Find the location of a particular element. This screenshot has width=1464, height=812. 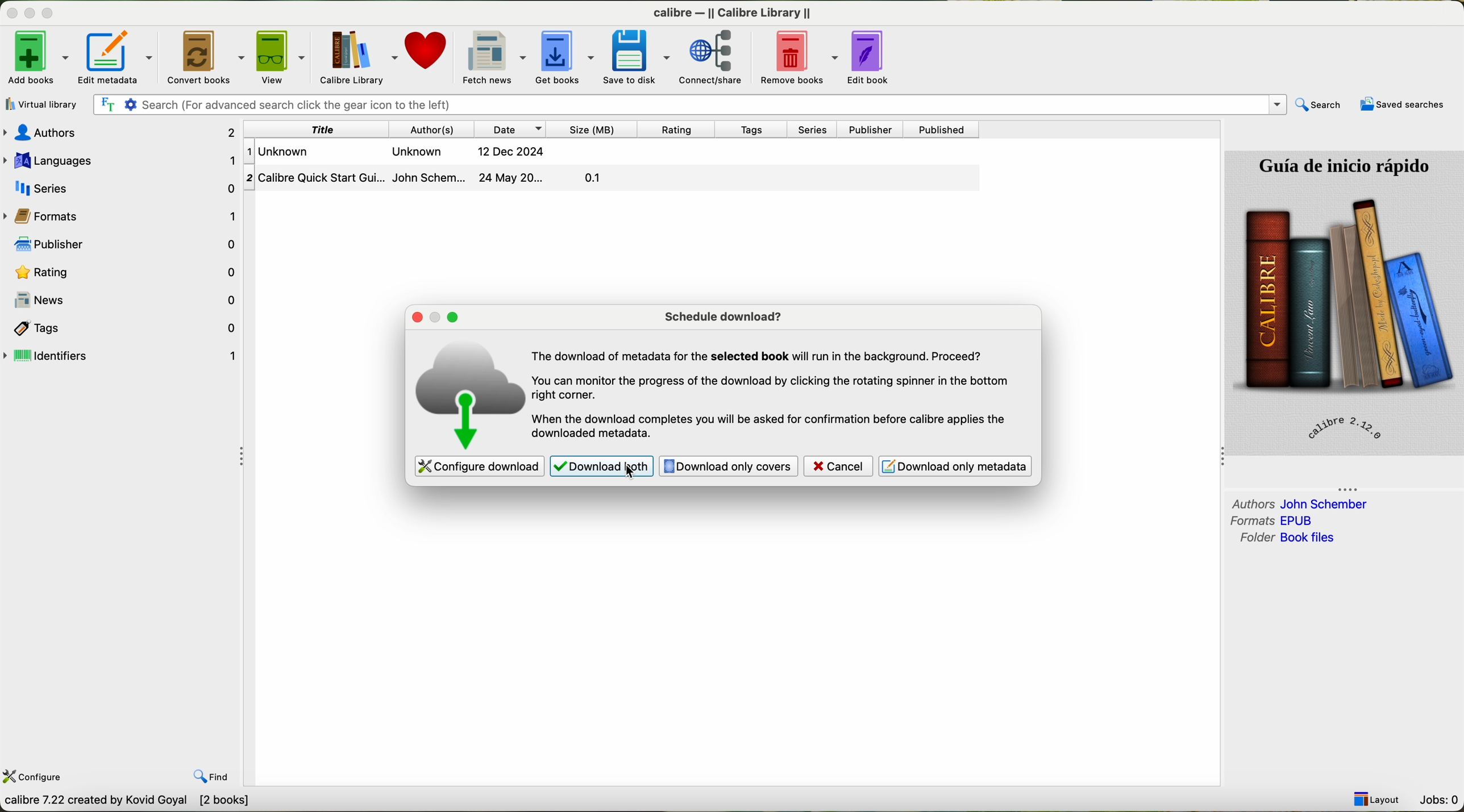

publisher is located at coordinates (868, 129).